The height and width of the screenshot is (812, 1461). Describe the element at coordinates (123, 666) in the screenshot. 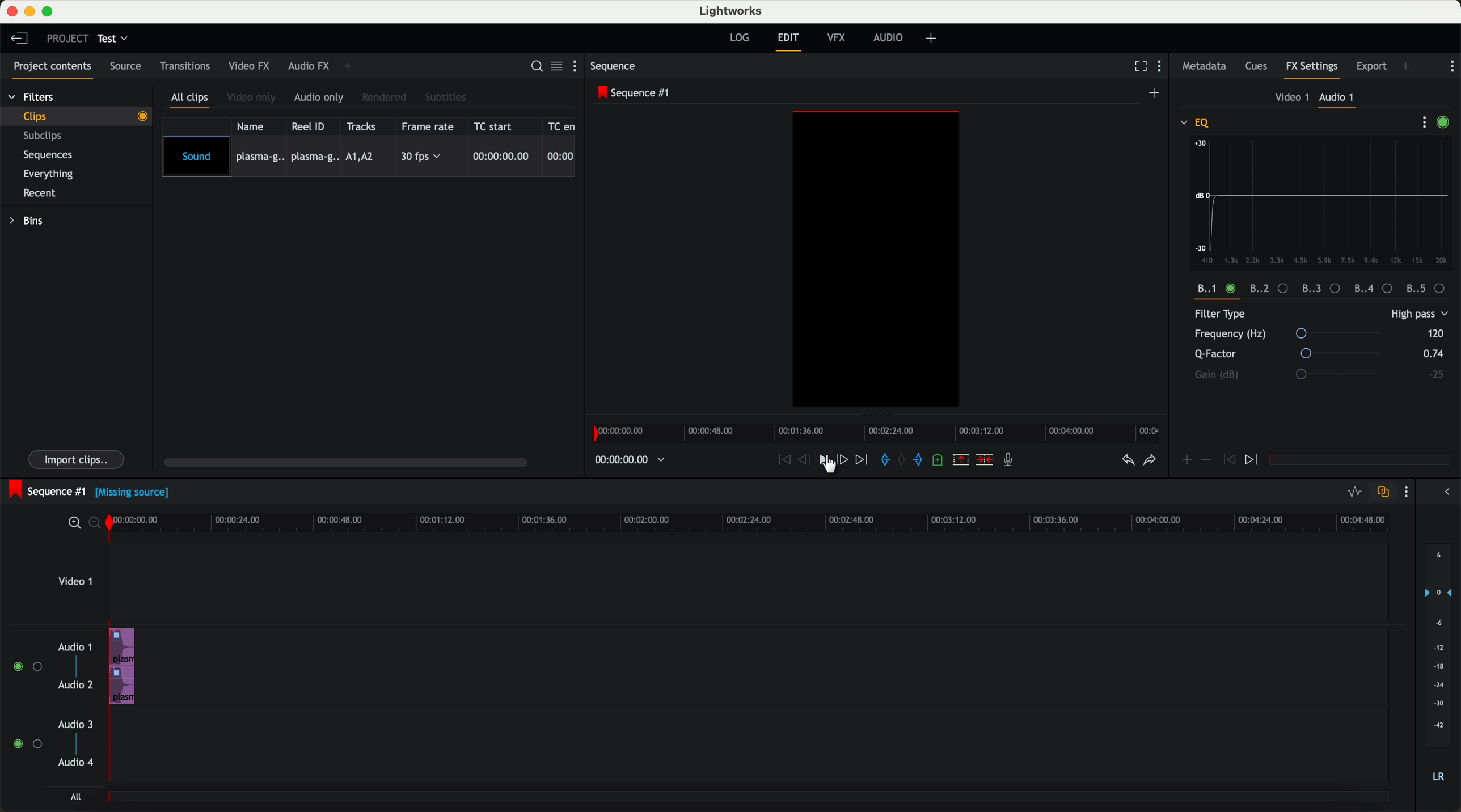

I see `audio with effect applied` at that location.